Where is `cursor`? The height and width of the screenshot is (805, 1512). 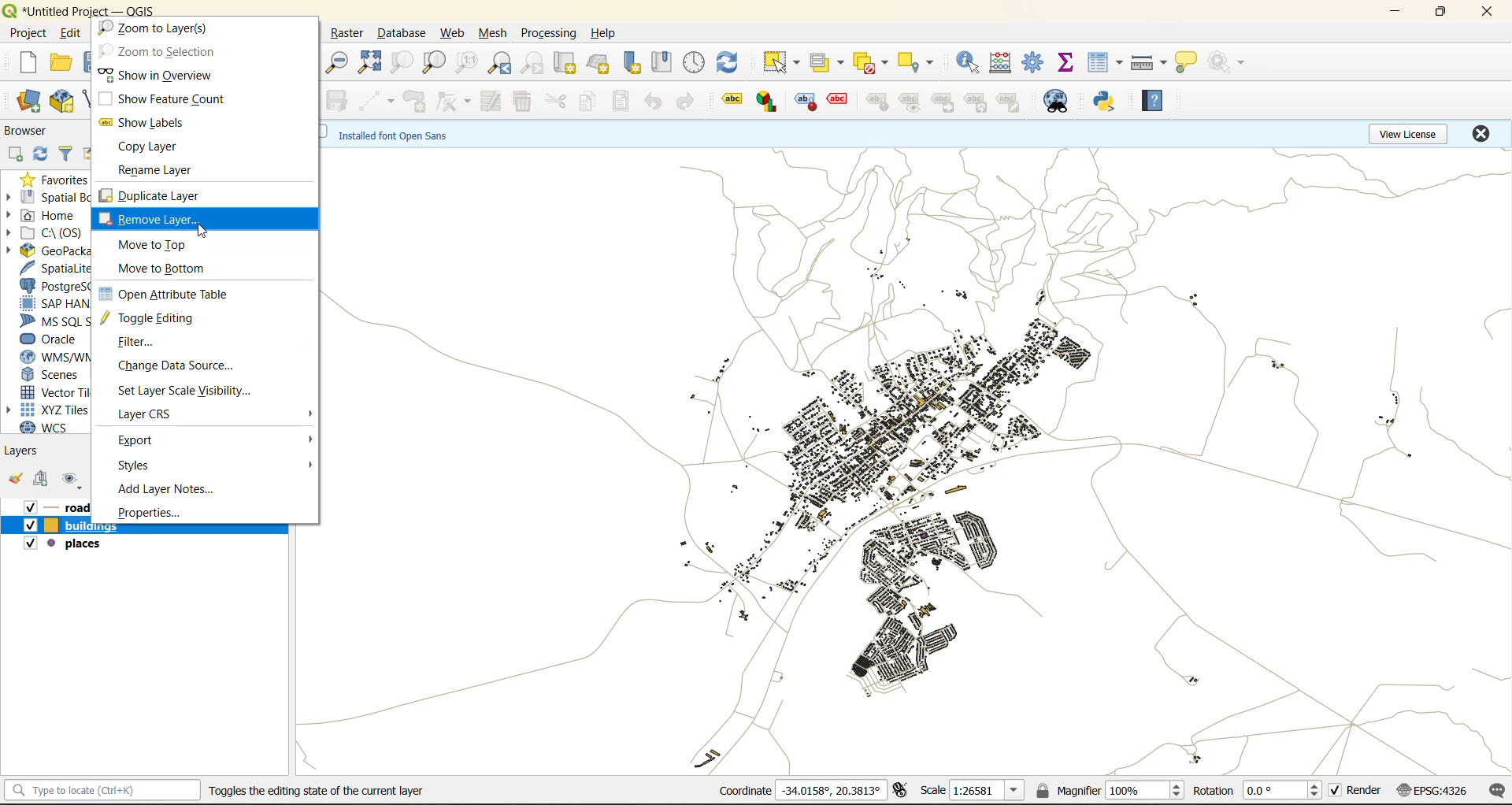
cursor is located at coordinates (206, 230).